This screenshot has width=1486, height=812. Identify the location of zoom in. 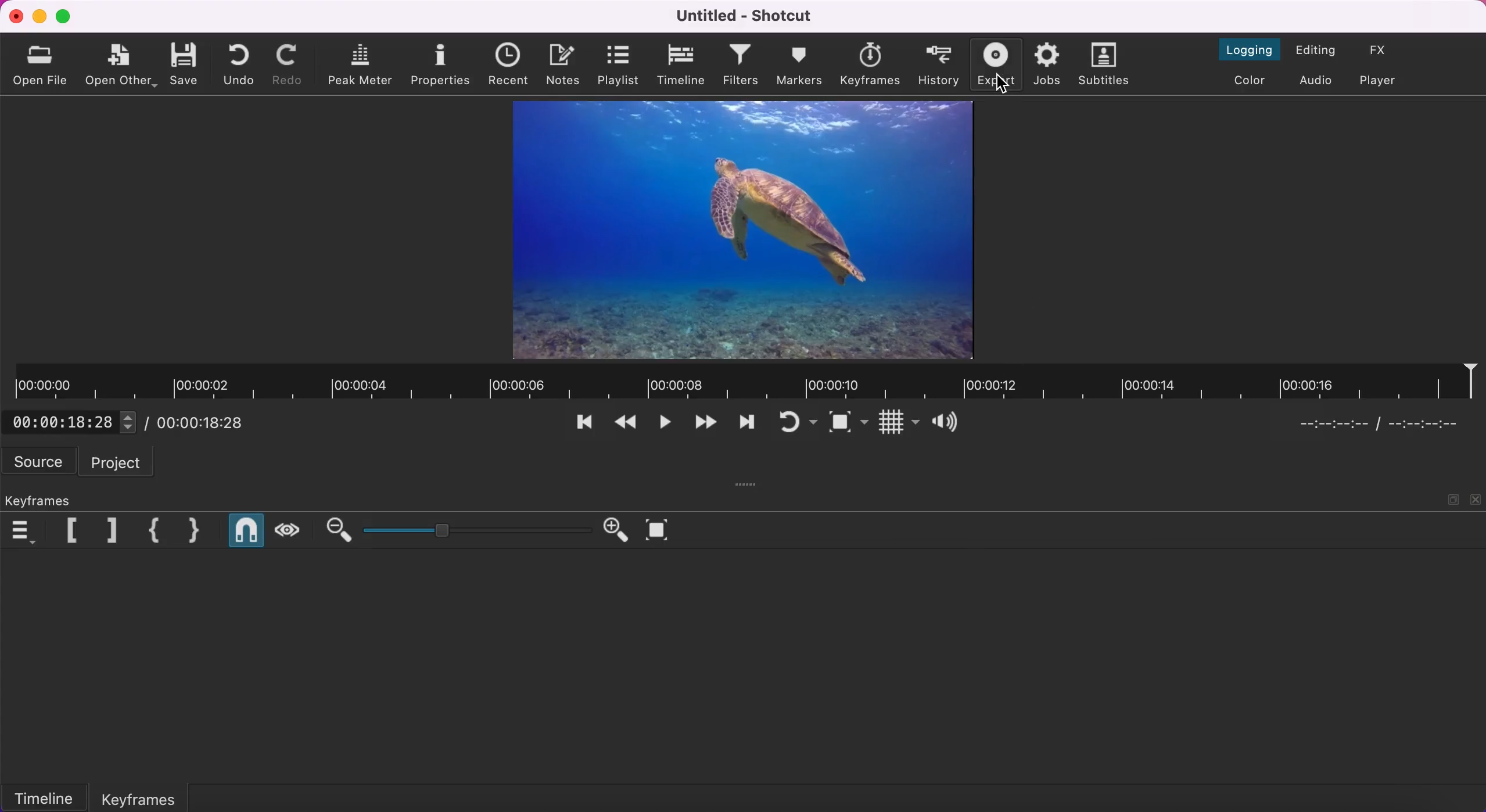
(613, 530).